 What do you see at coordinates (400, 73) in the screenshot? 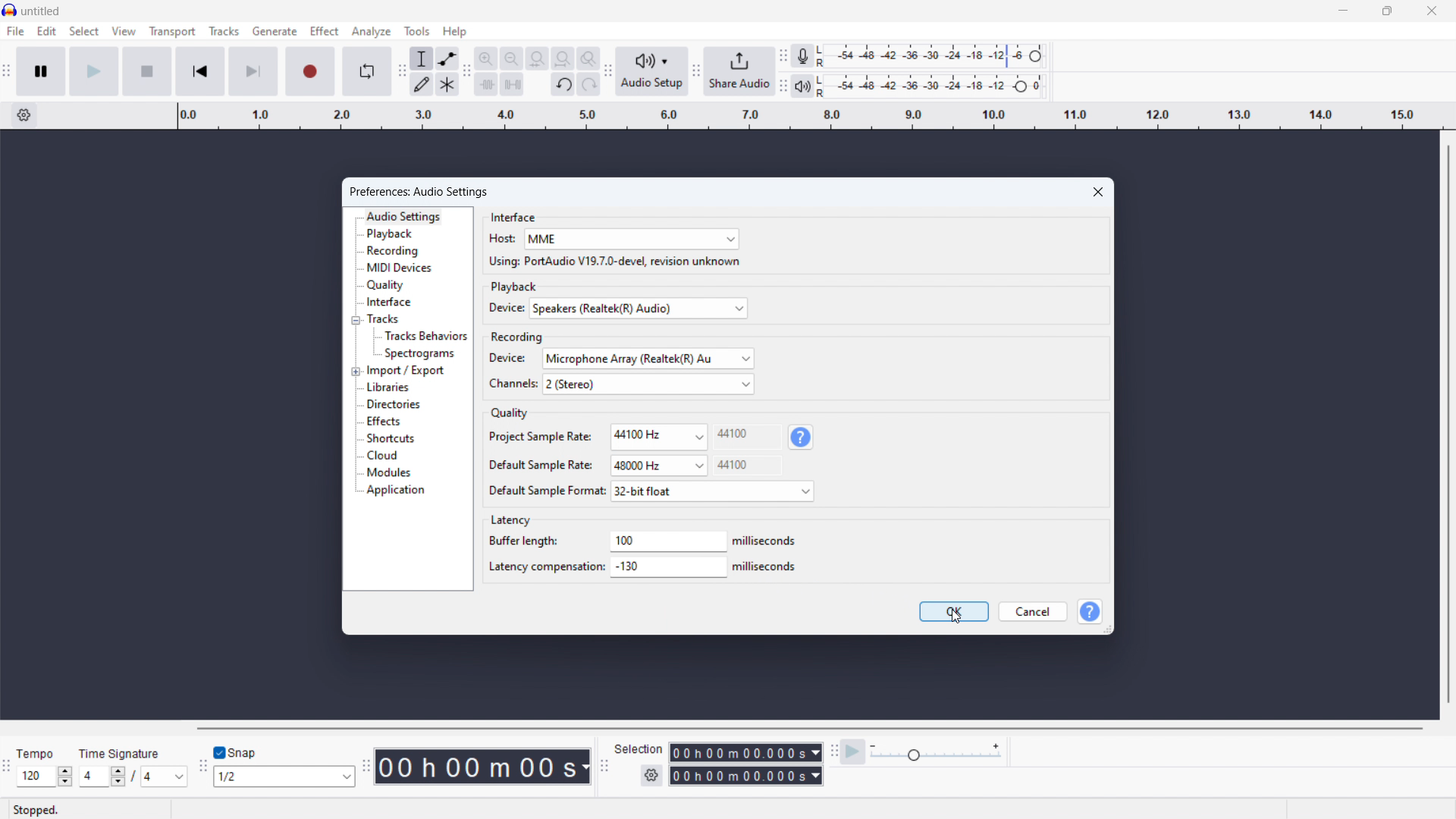
I see `tools toolbar` at bounding box center [400, 73].